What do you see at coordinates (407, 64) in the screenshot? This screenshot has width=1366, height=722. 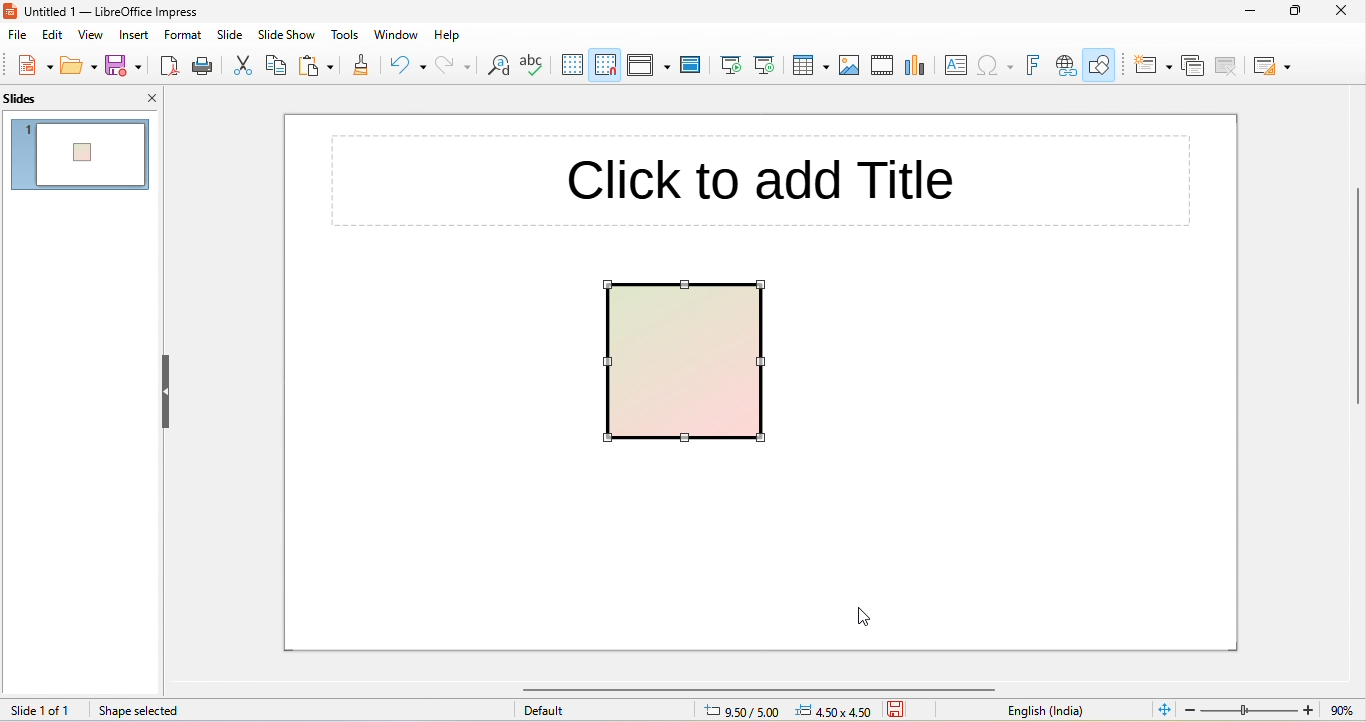 I see `undo` at bounding box center [407, 64].